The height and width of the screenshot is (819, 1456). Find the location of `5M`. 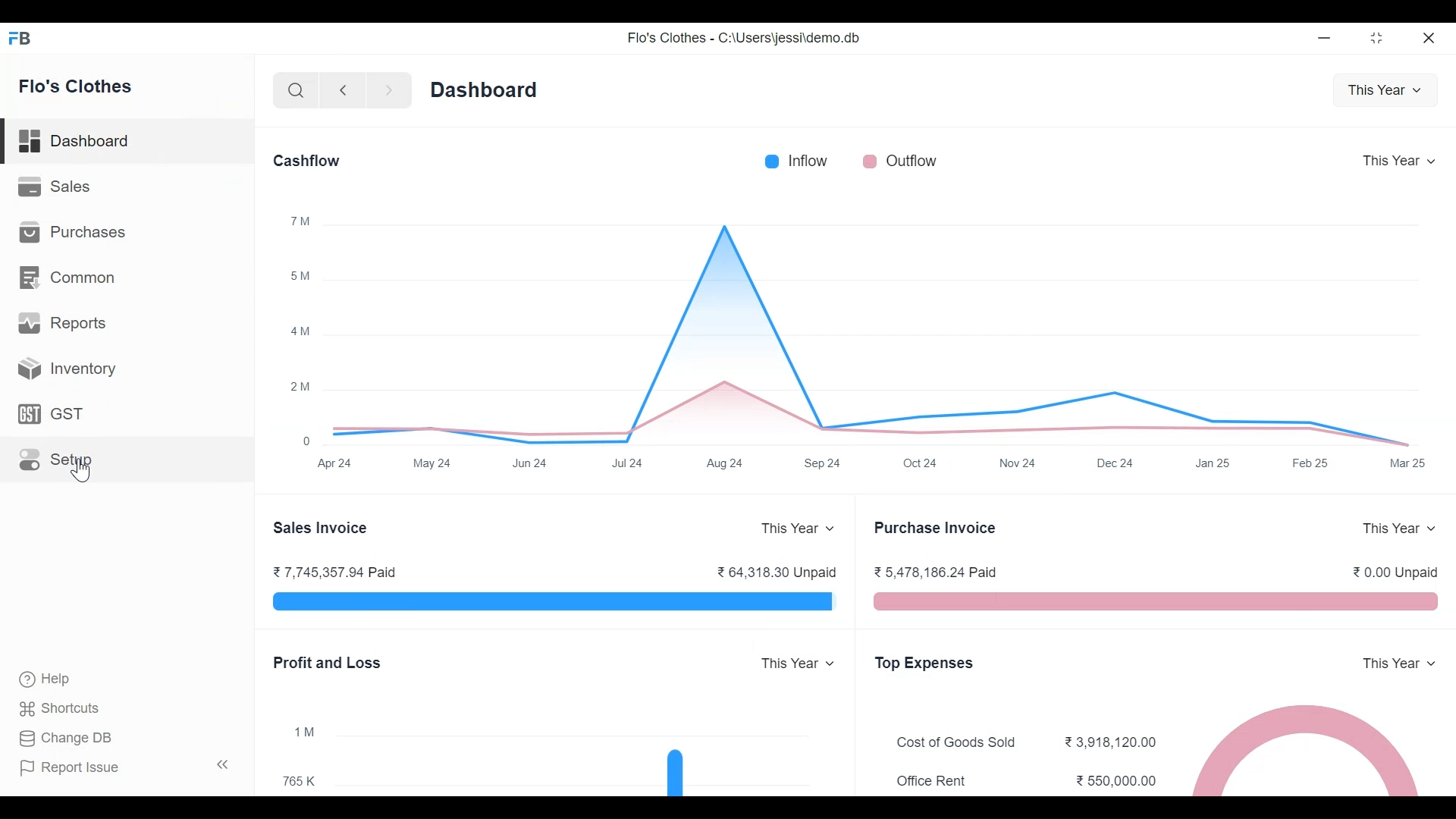

5M is located at coordinates (297, 275).